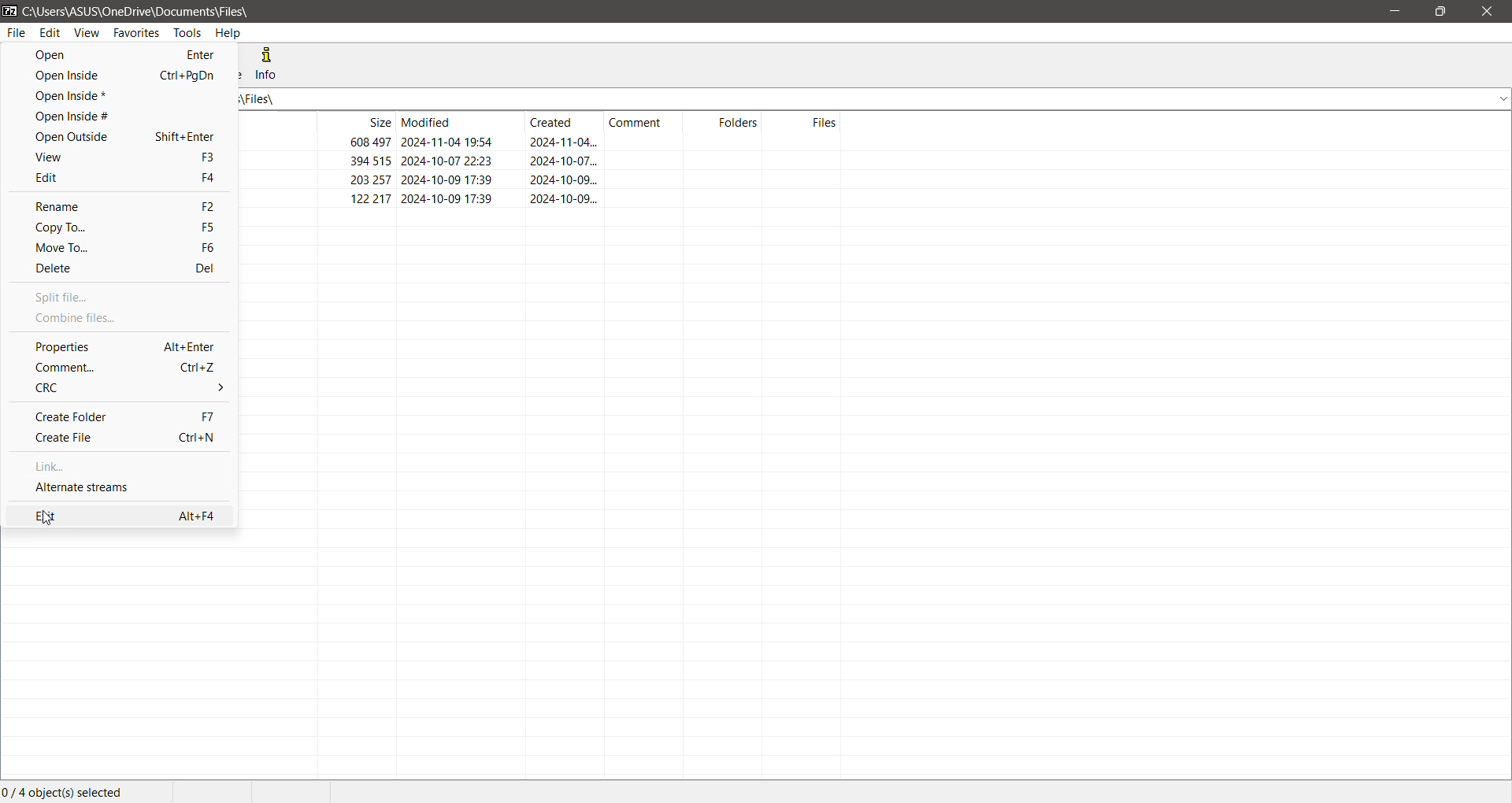 The image size is (1512, 803). What do you see at coordinates (125, 205) in the screenshot?
I see `Rename` at bounding box center [125, 205].